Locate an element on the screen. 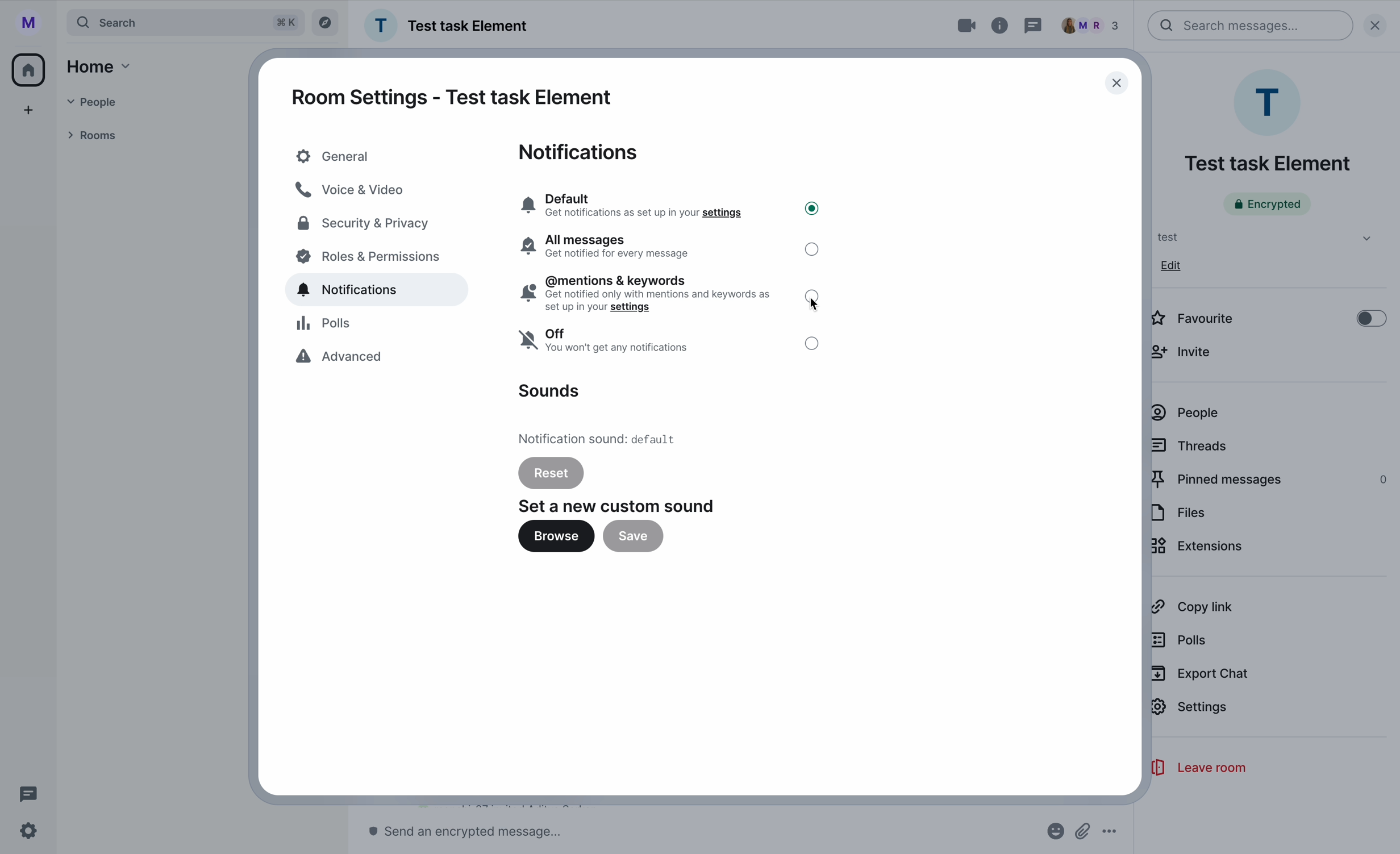 The height and width of the screenshot is (854, 1400). room info is located at coordinates (1001, 26).